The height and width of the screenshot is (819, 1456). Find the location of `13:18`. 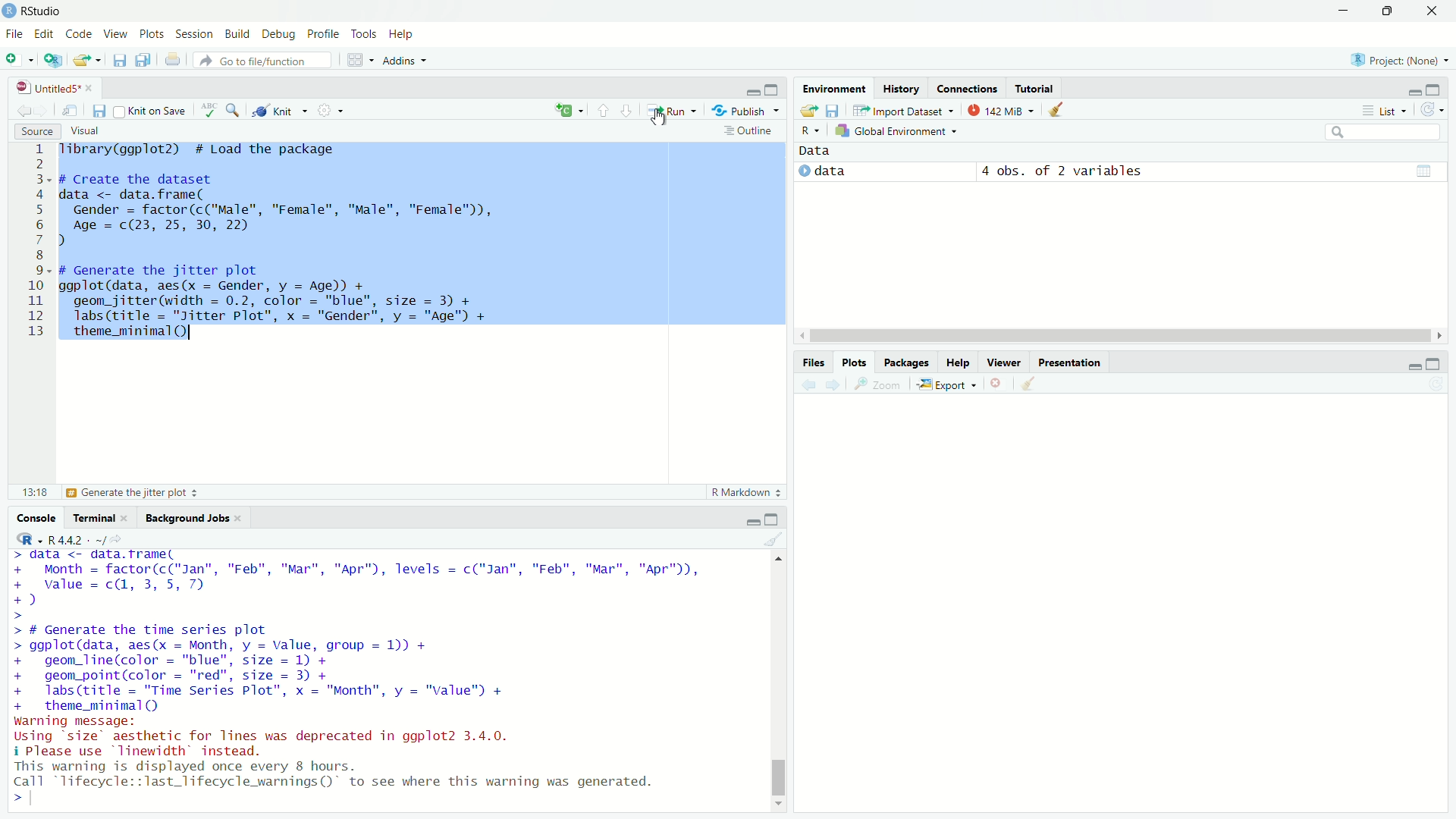

13:18 is located at coordinates (27, 491).